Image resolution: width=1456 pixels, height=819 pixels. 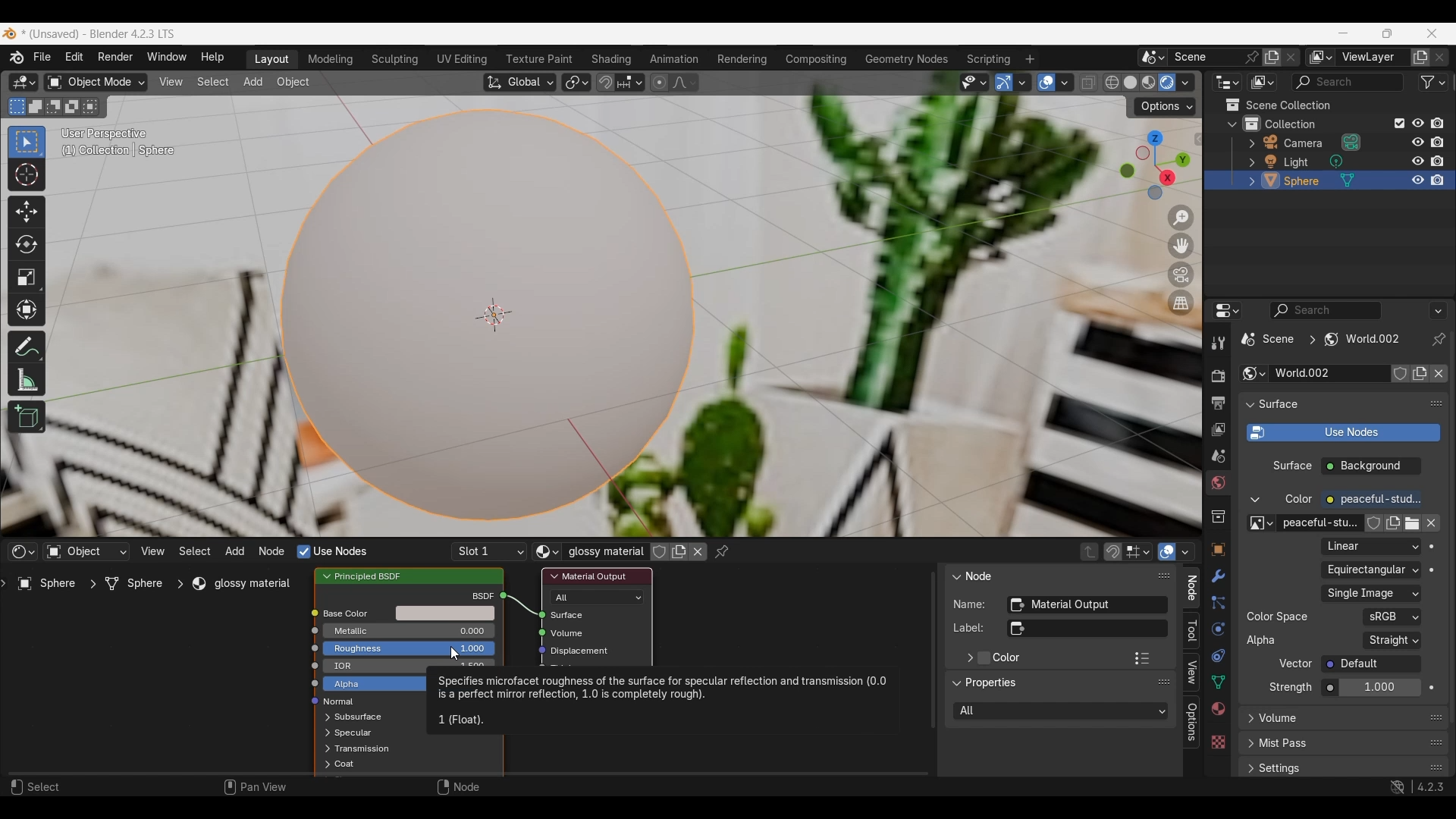 I want to click on Unlink data block, so click(x=1431, y=523).